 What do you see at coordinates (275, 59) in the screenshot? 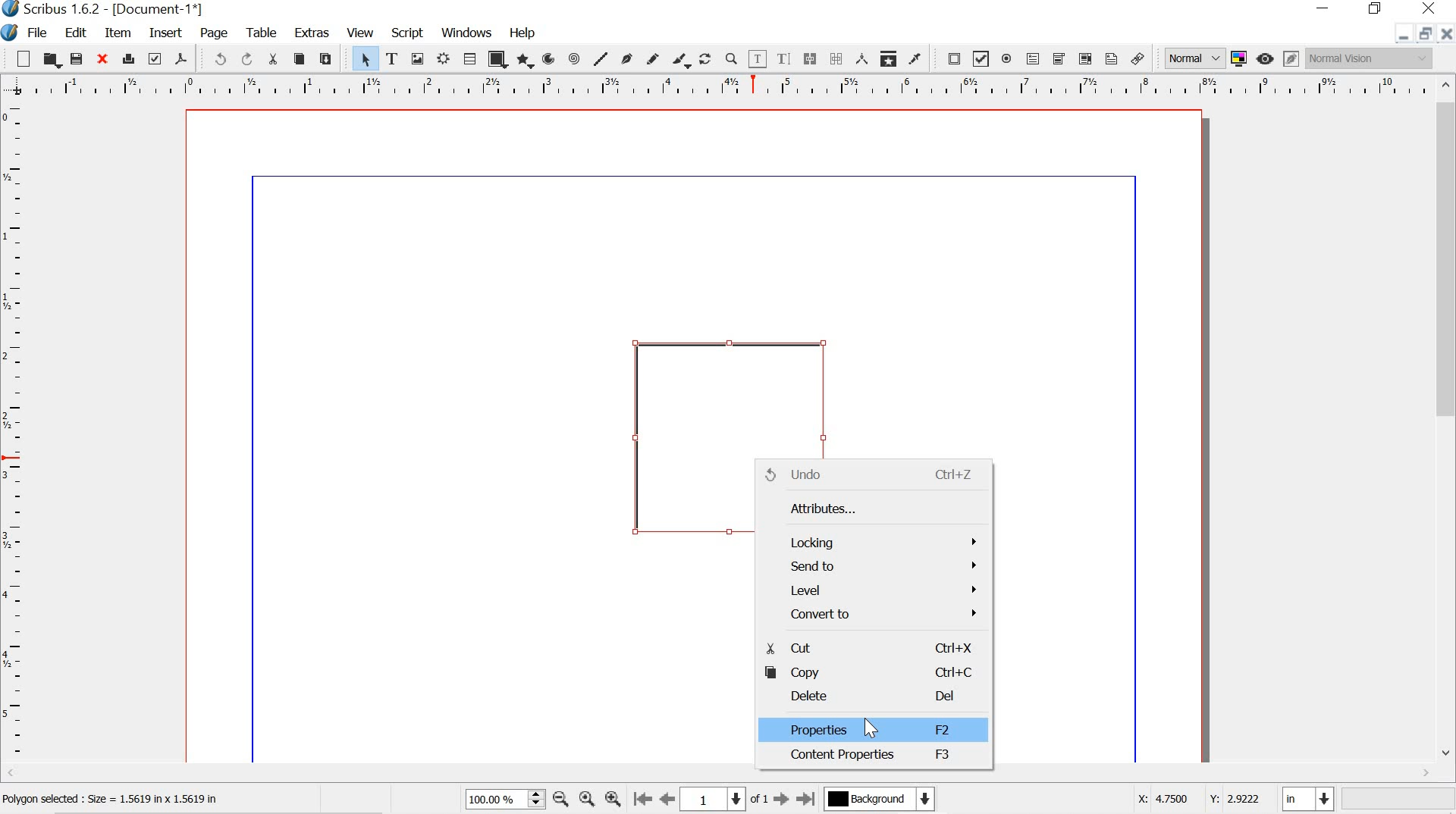
I see `cut` at bounding box center [275, 59].